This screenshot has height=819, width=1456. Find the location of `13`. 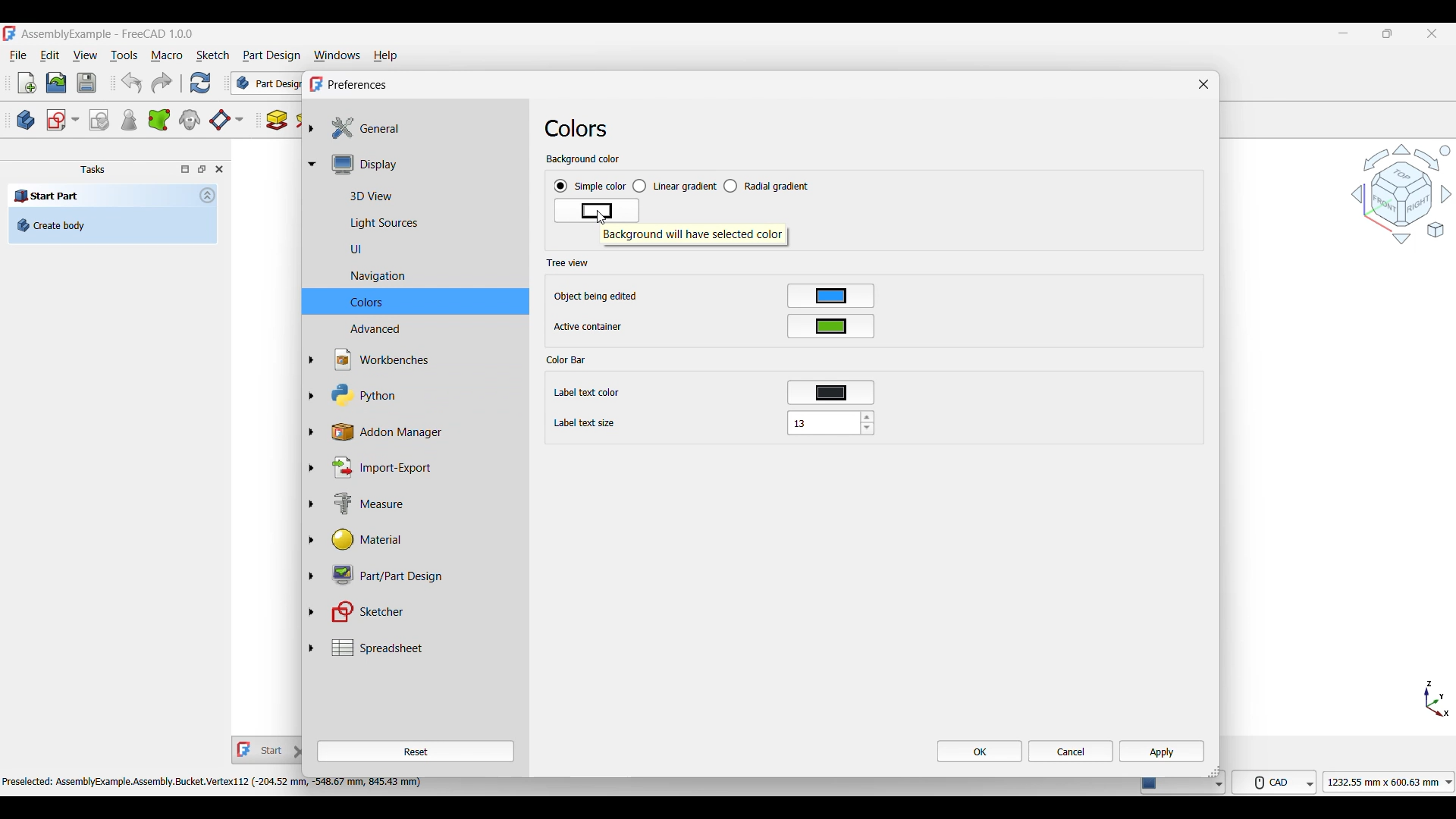

13 is located at coordinates (830, 422).